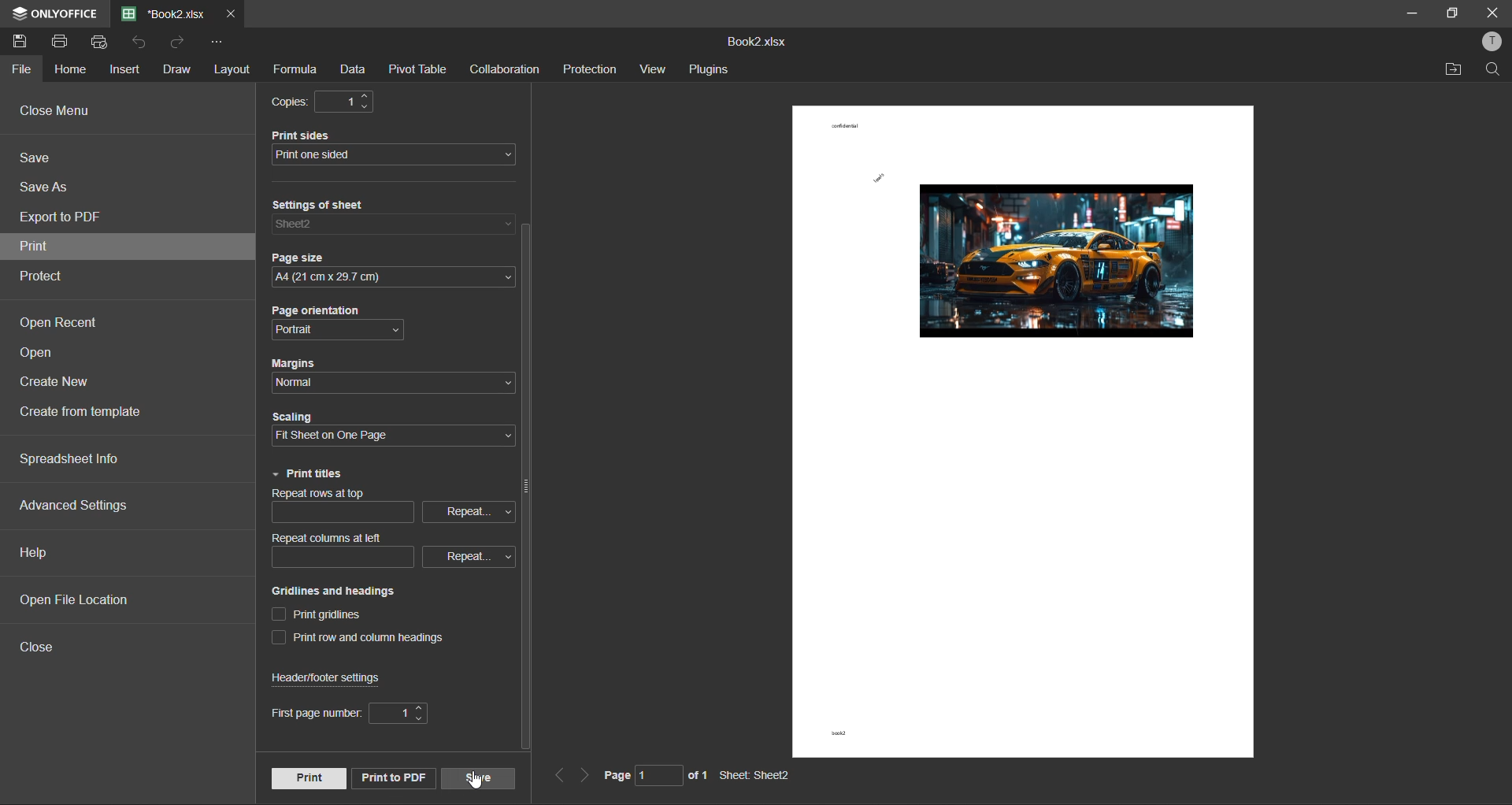 The width and height of the screenshot is (1512, 805). Describe the element at coordinates (183, 43) in the screenshot. I see `redo` at that location.